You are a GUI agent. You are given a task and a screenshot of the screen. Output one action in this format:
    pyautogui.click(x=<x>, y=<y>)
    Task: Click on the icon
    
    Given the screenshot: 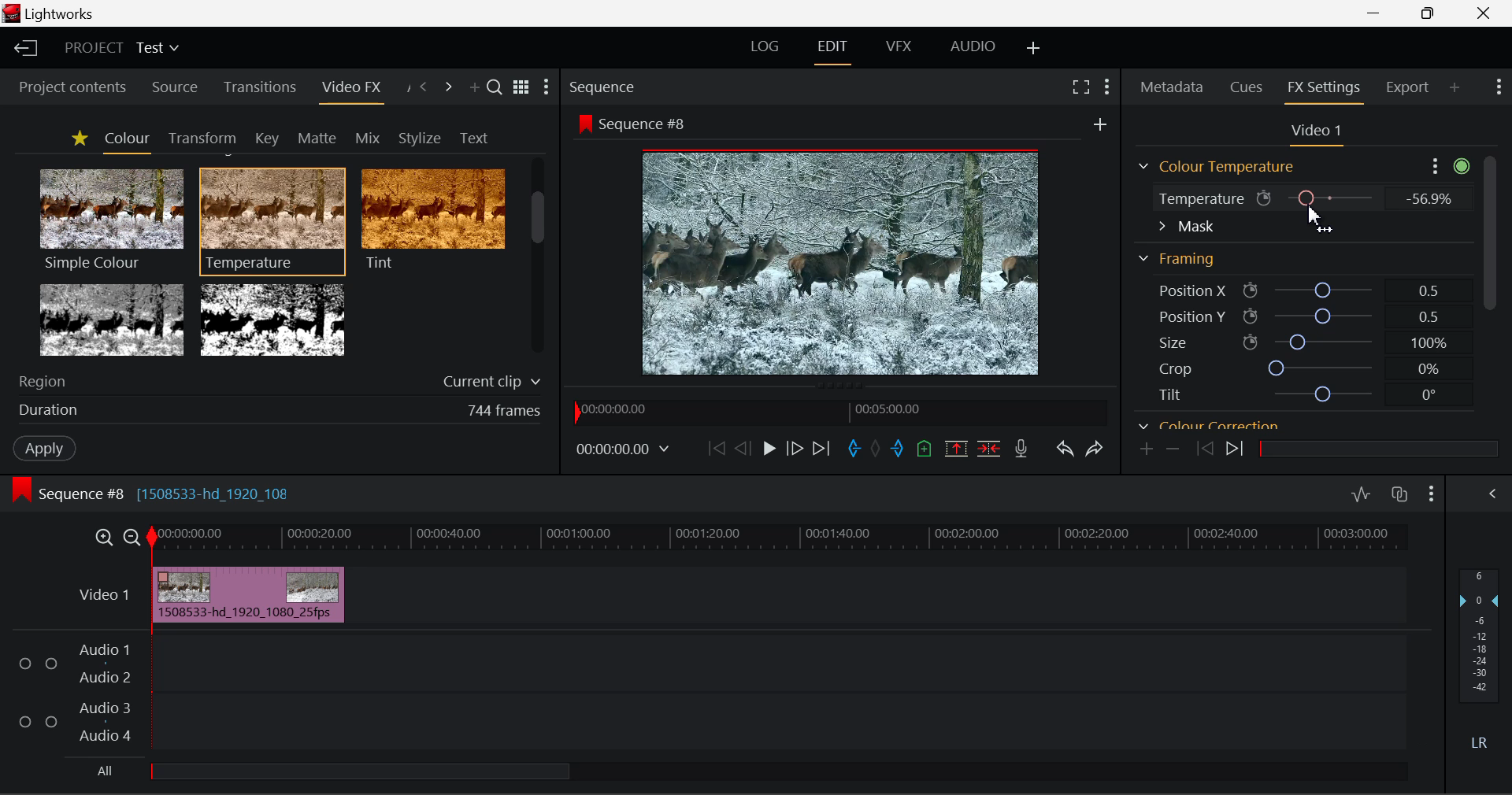 What is the action you would take?
    pyautogui.click(x=1251, y=316)
    